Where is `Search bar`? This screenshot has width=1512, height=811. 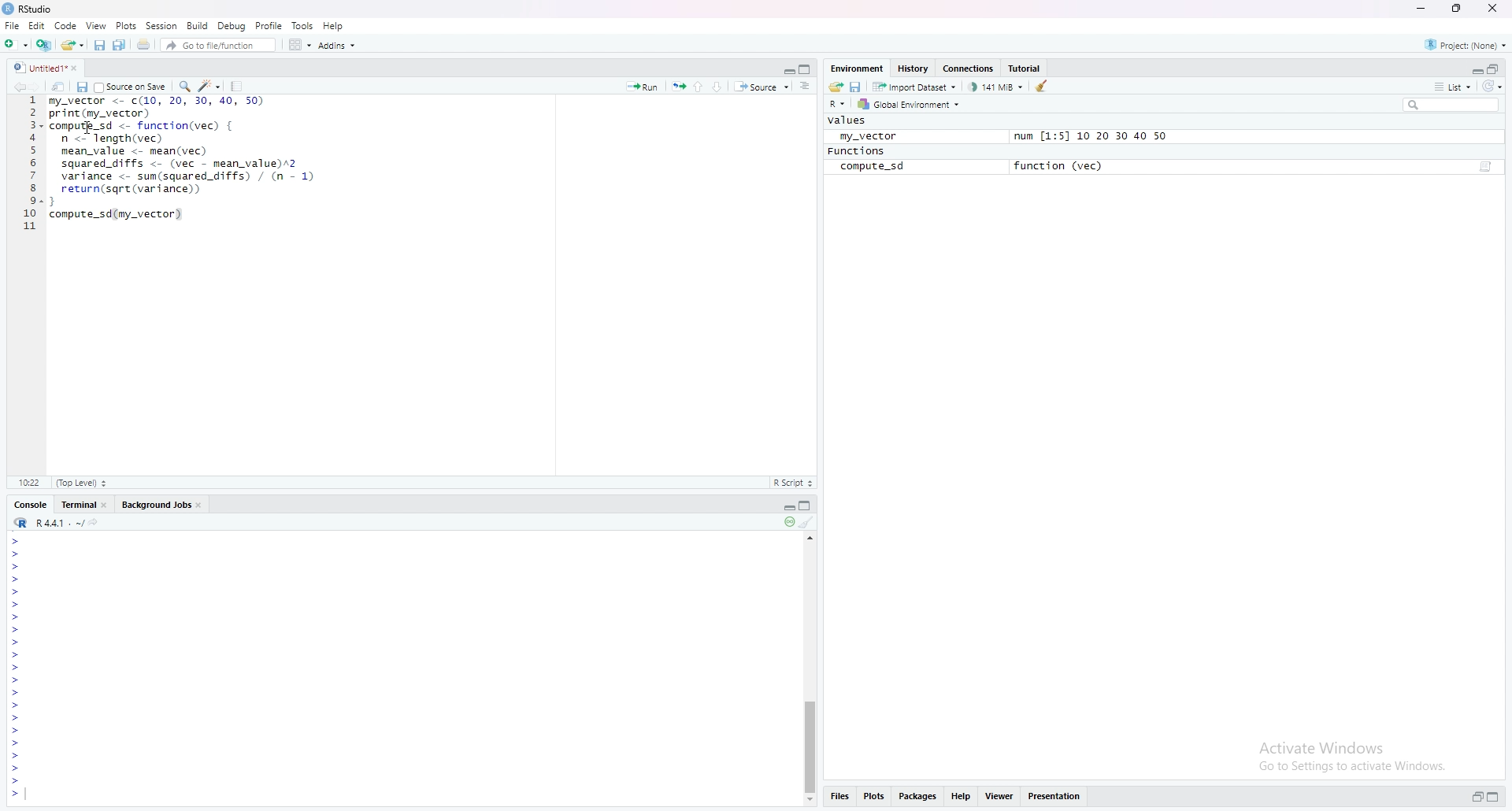
Search bar is located at coordinates (1456, 104).